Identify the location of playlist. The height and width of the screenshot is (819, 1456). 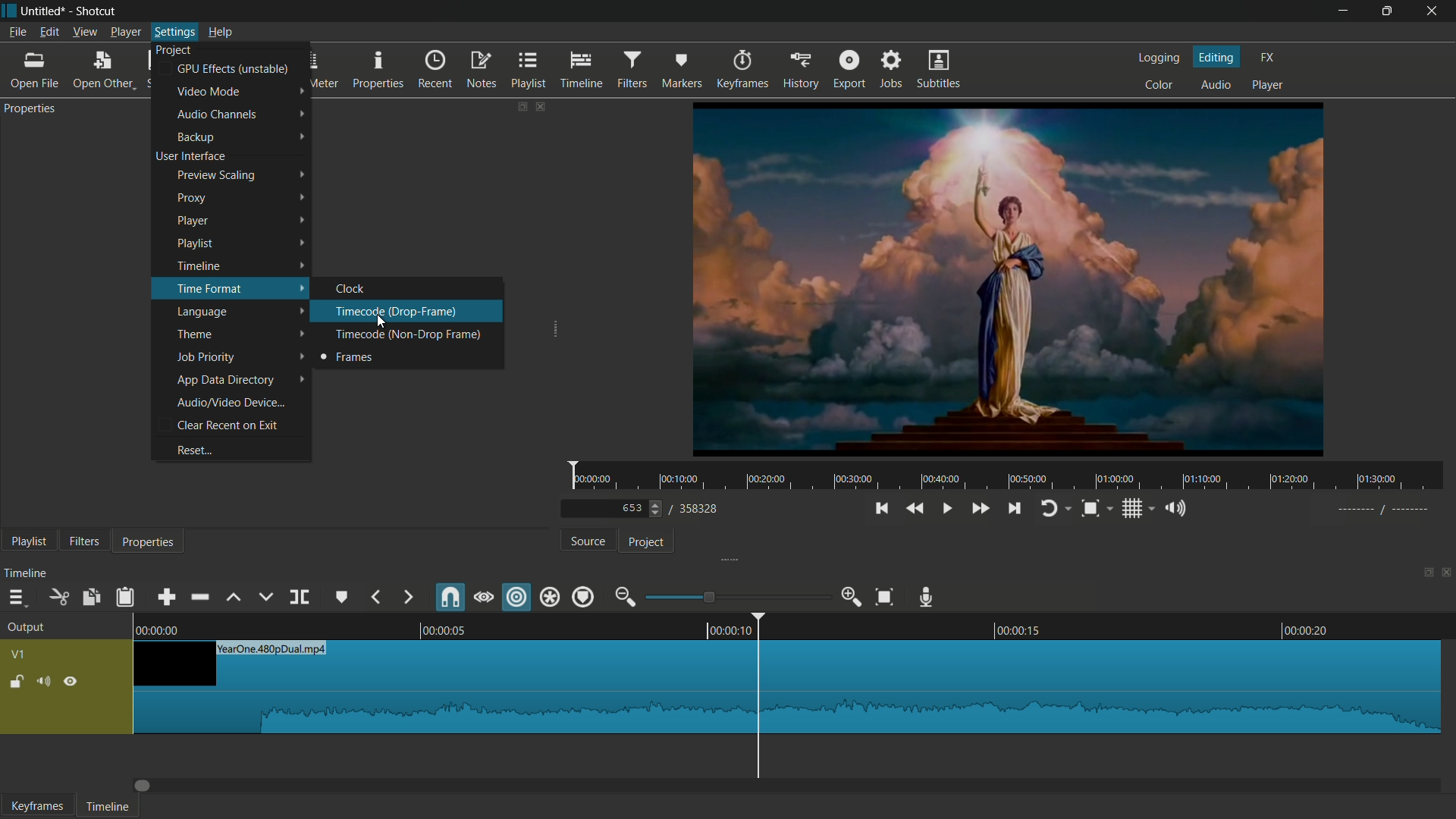
(30, 541).